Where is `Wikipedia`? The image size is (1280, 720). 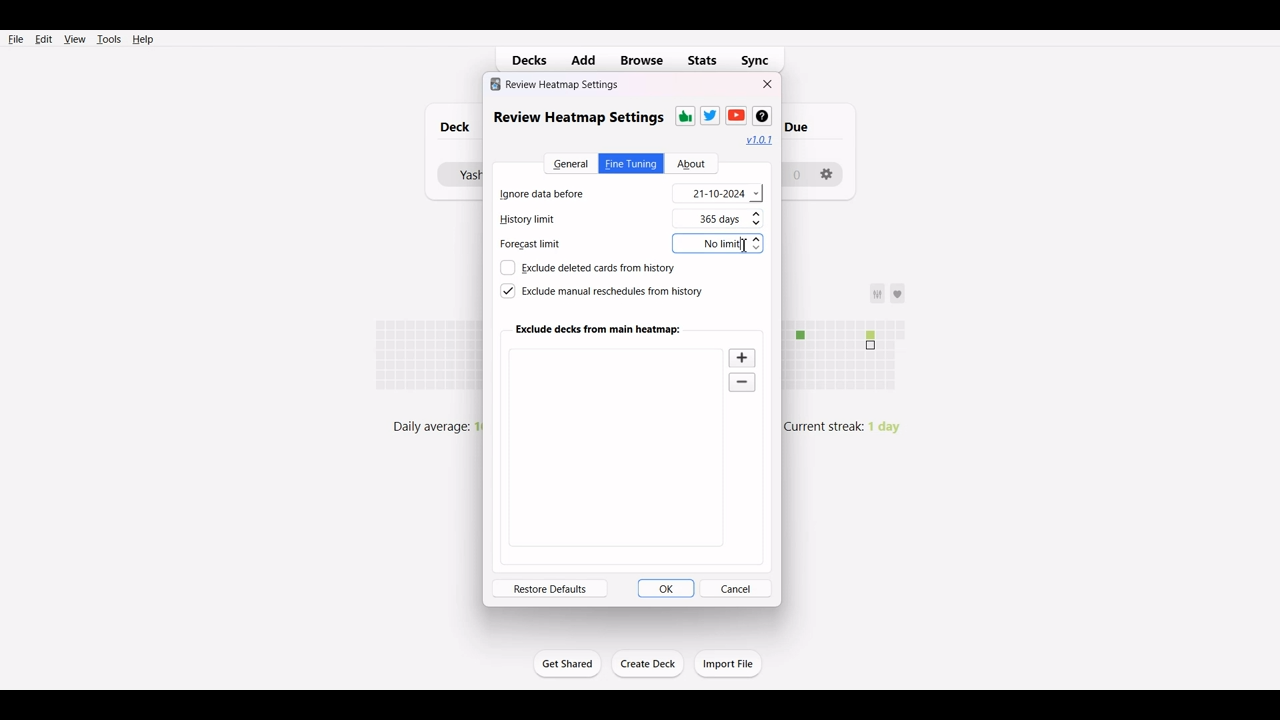
Wikipedia is located at coordinates (761, 116).